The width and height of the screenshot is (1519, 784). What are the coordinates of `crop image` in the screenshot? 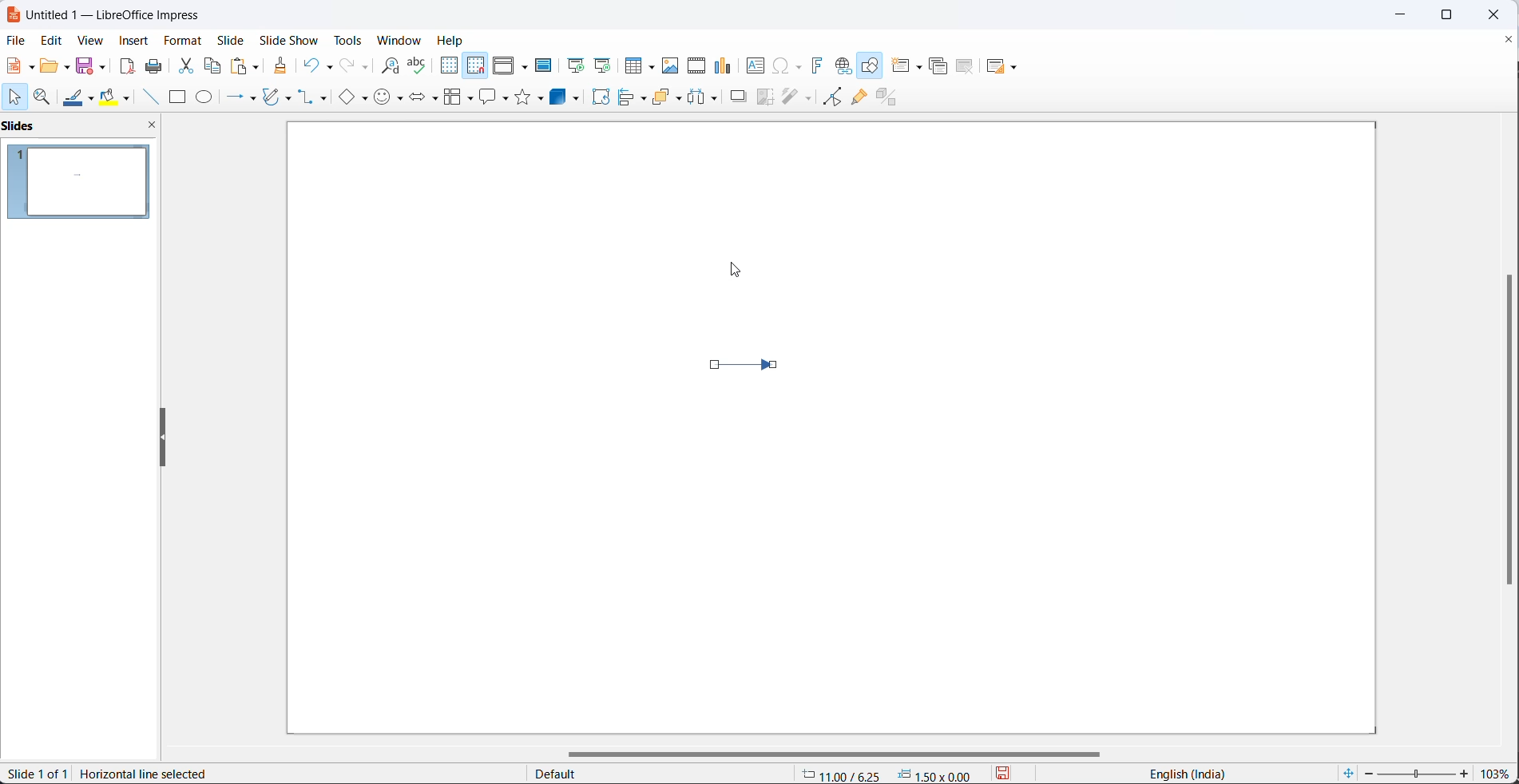 It's located at (766, 98).